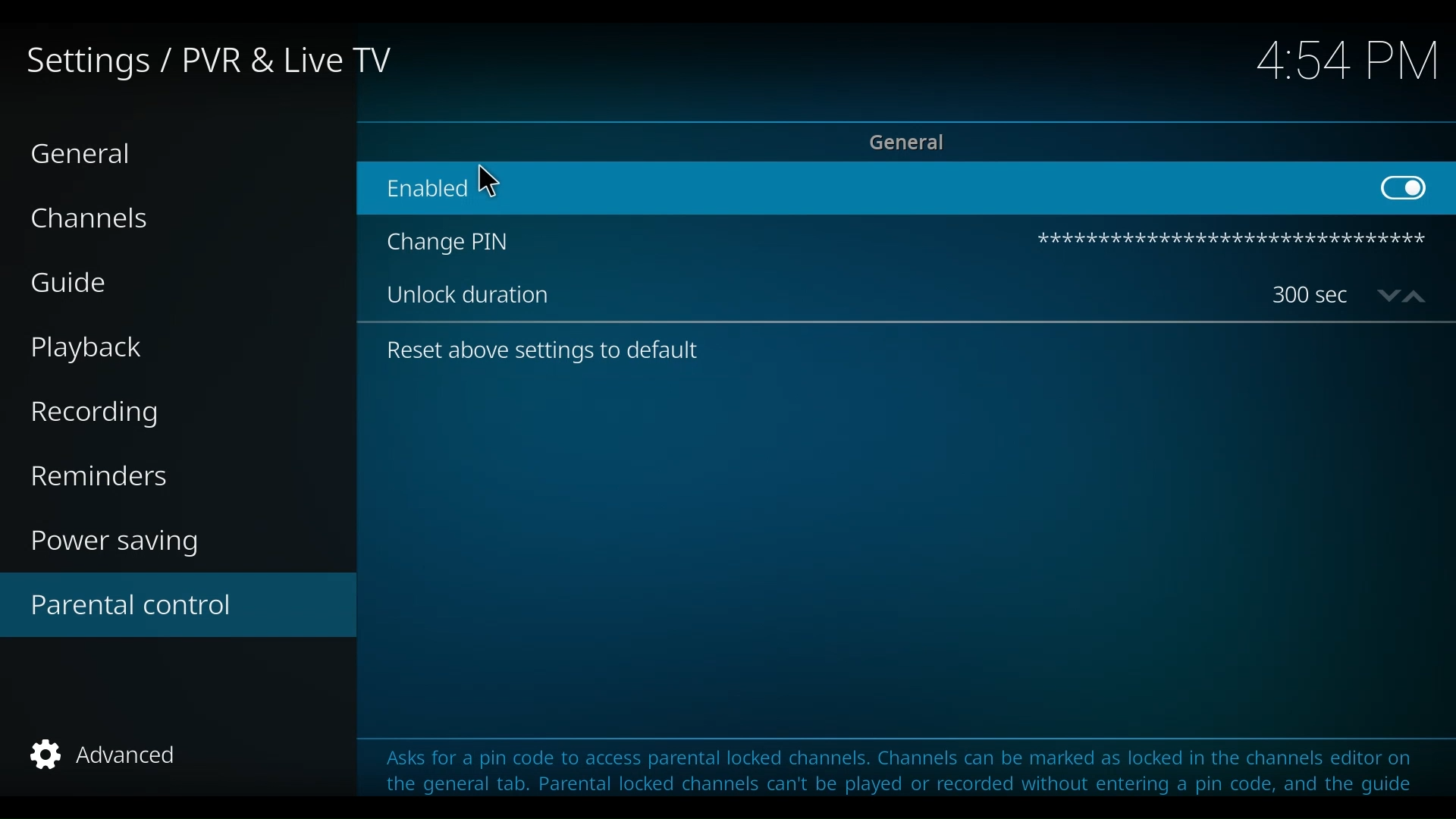 This screenshot has height=819, width=1456. What do you see at coordinates (1385, 297) in the screenshot?
I see `Go down` at bounding box center [1385, 297].